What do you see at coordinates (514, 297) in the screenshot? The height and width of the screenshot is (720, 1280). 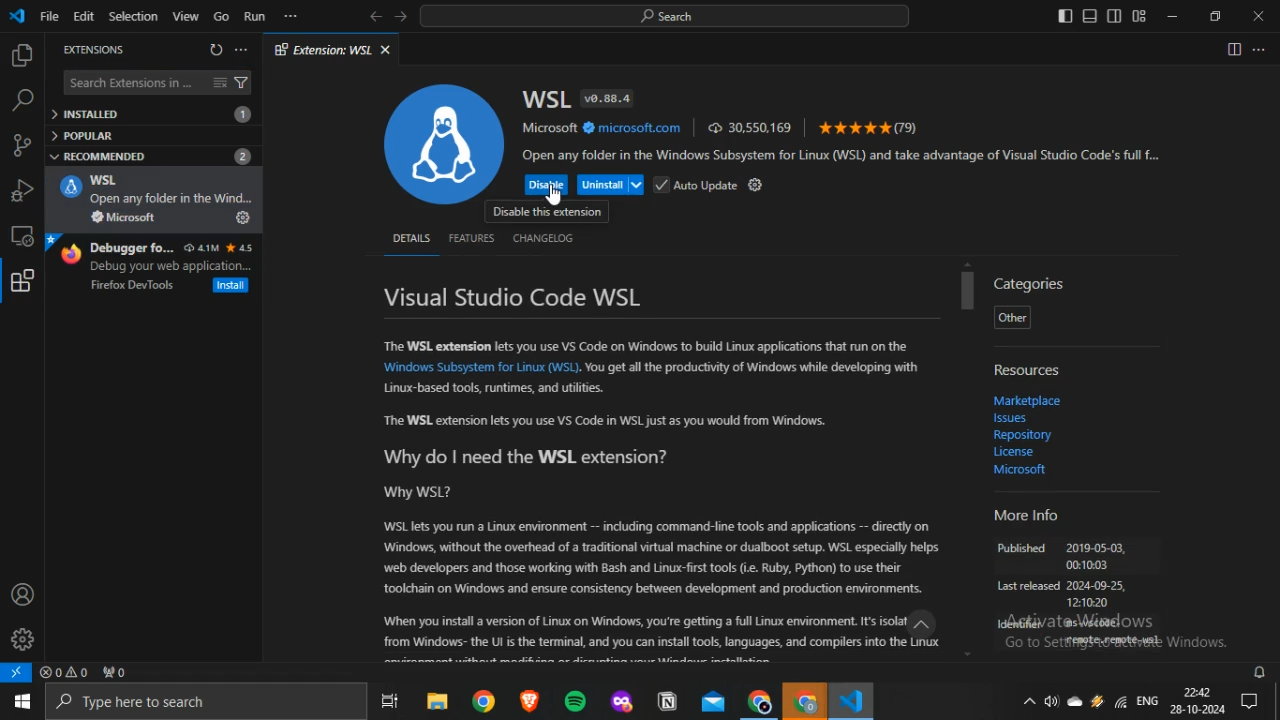 I see `Visual Studio Code WSL` at bounding box center [514, 297].